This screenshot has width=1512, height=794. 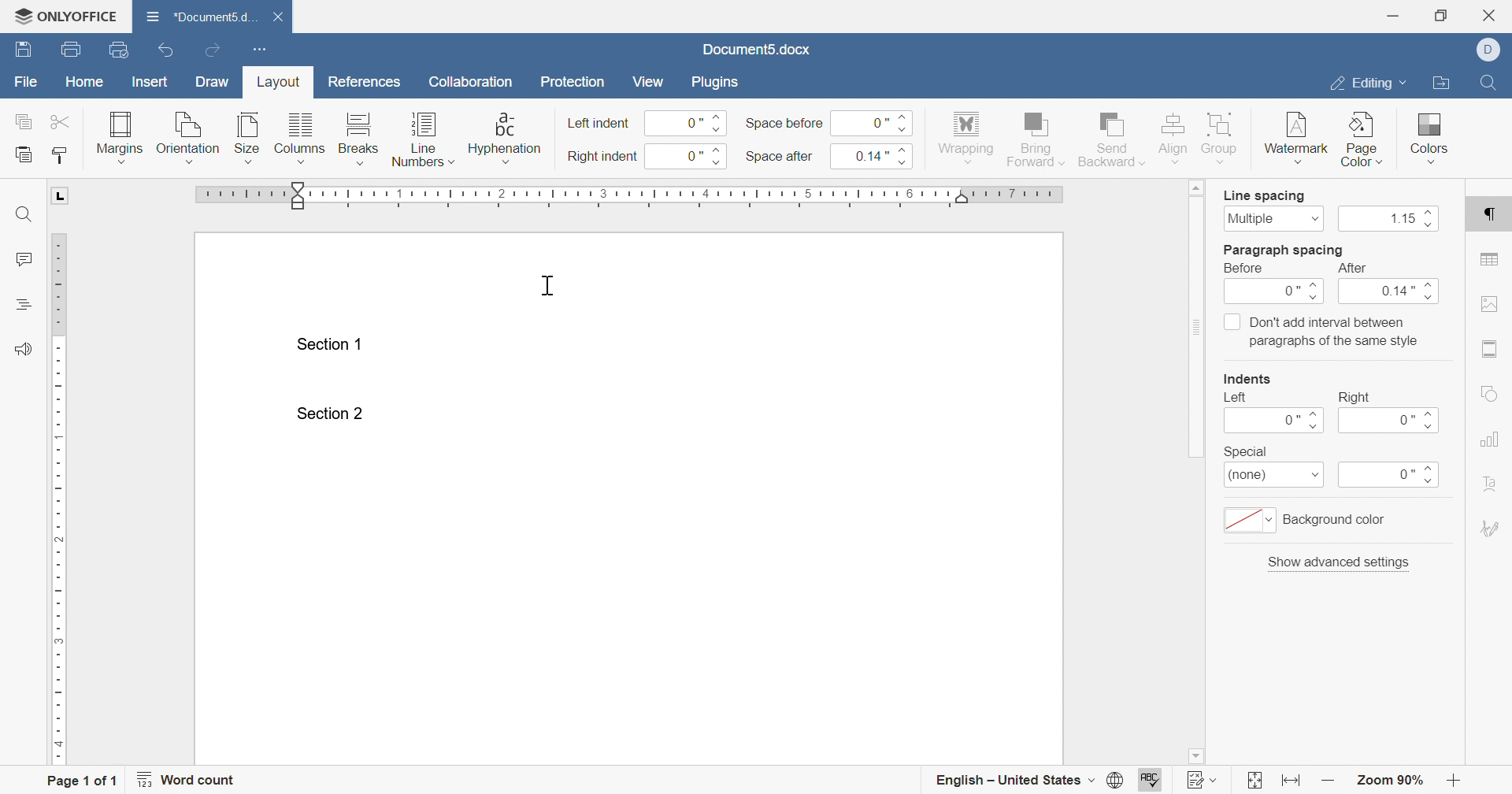 What do you see at coordinates (1265, 196) in the screenshot?
I see `line spacing` at bounding box center [1265, 196].